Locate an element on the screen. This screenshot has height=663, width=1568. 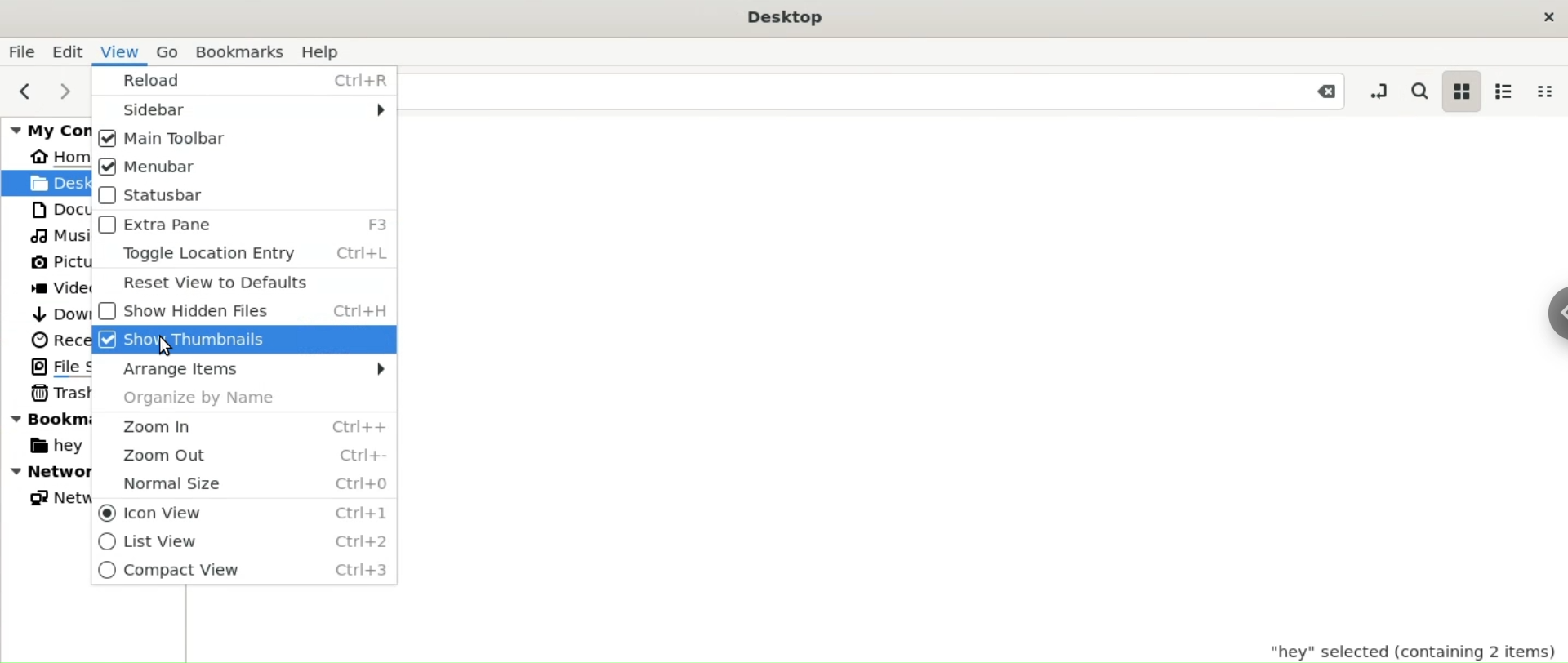
Desktop is located at coordinates (794, 20).